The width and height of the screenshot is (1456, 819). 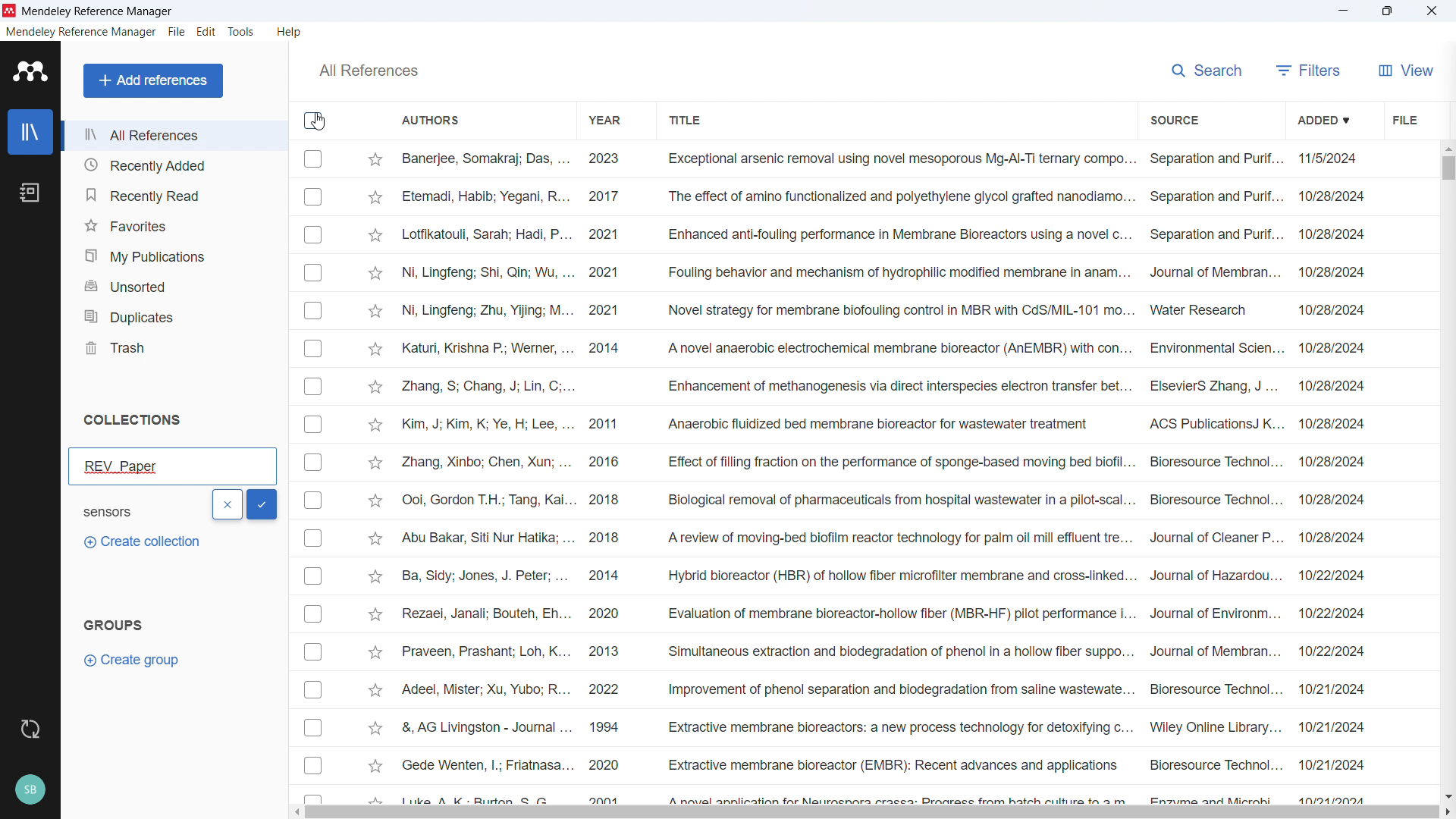 I want to click on Star mark respective publication, so click(x=376, y=576).